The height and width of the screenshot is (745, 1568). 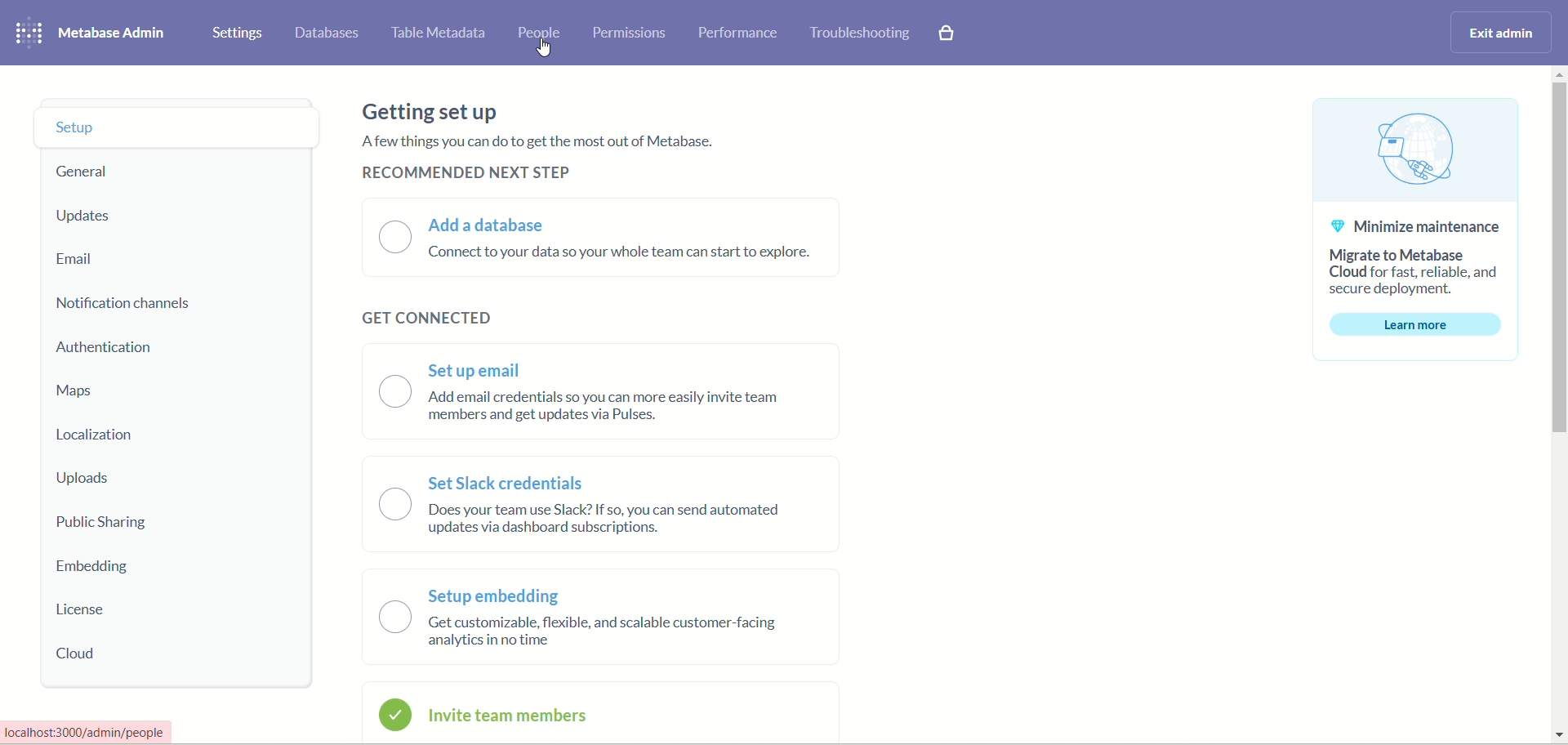 I want to click on permissions, so click(x=630, y=33).